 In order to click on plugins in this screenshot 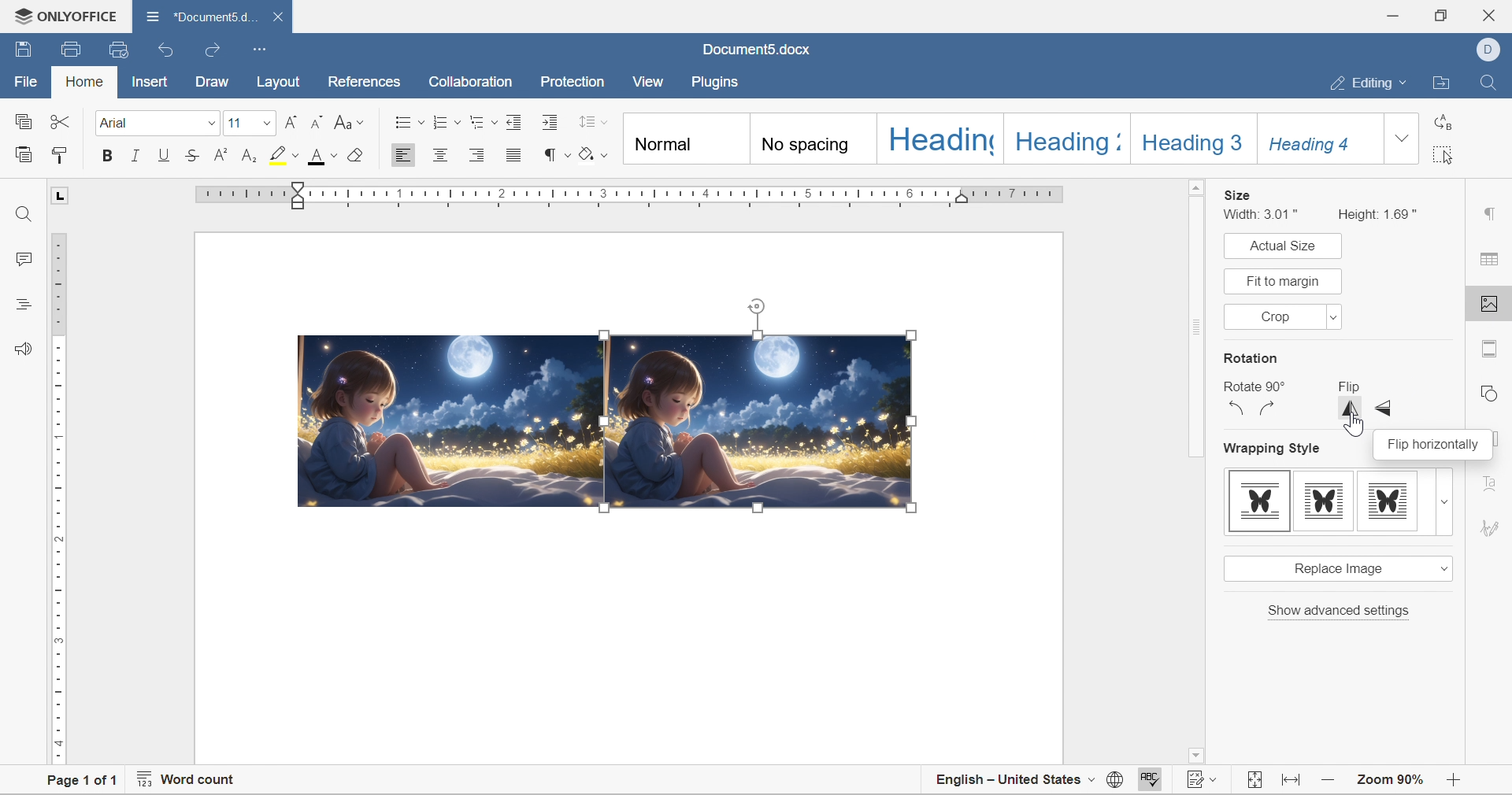, I will do `click(720, 82)`.